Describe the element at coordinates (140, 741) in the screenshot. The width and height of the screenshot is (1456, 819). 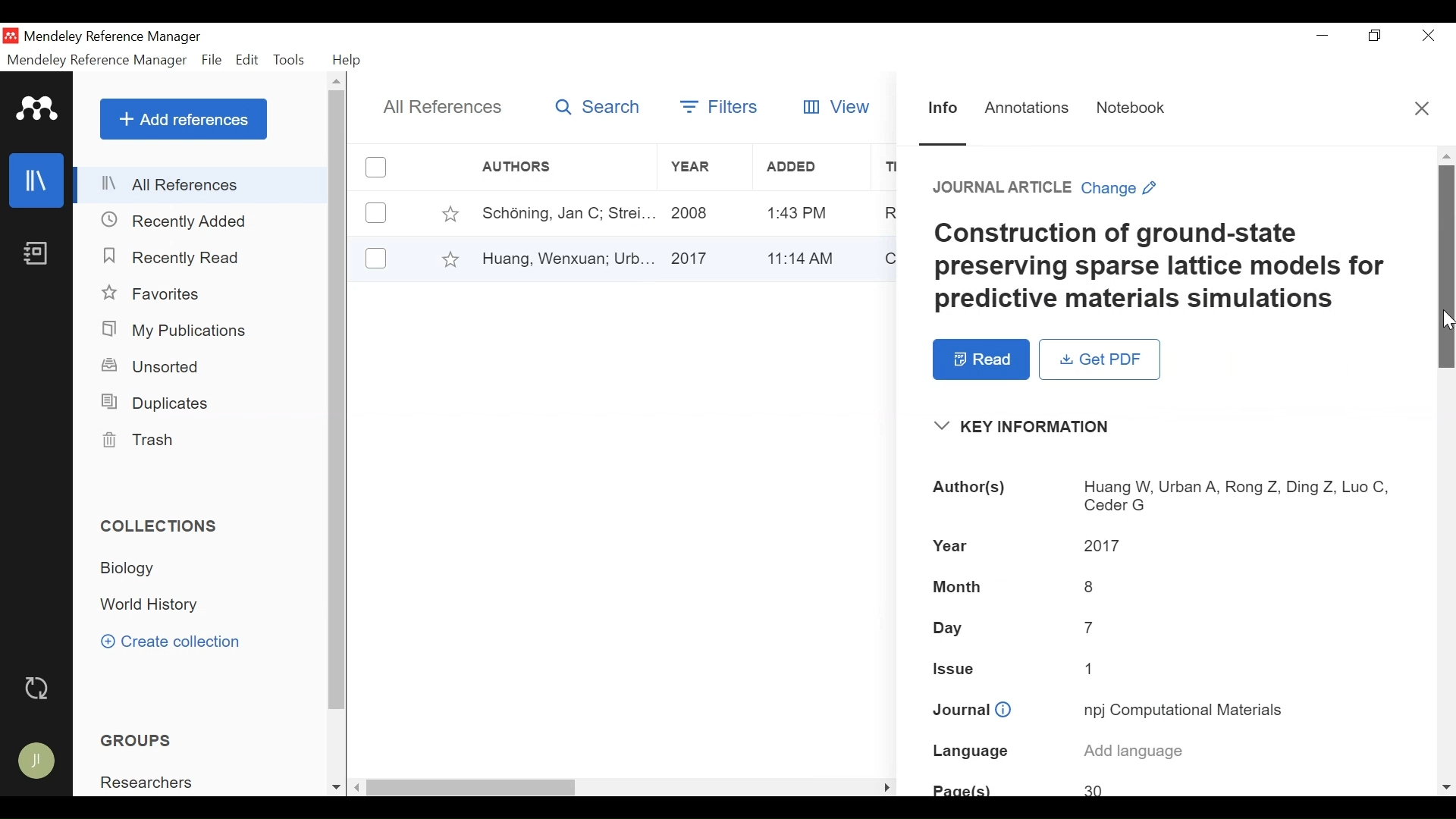
I see `Groups` at that location.